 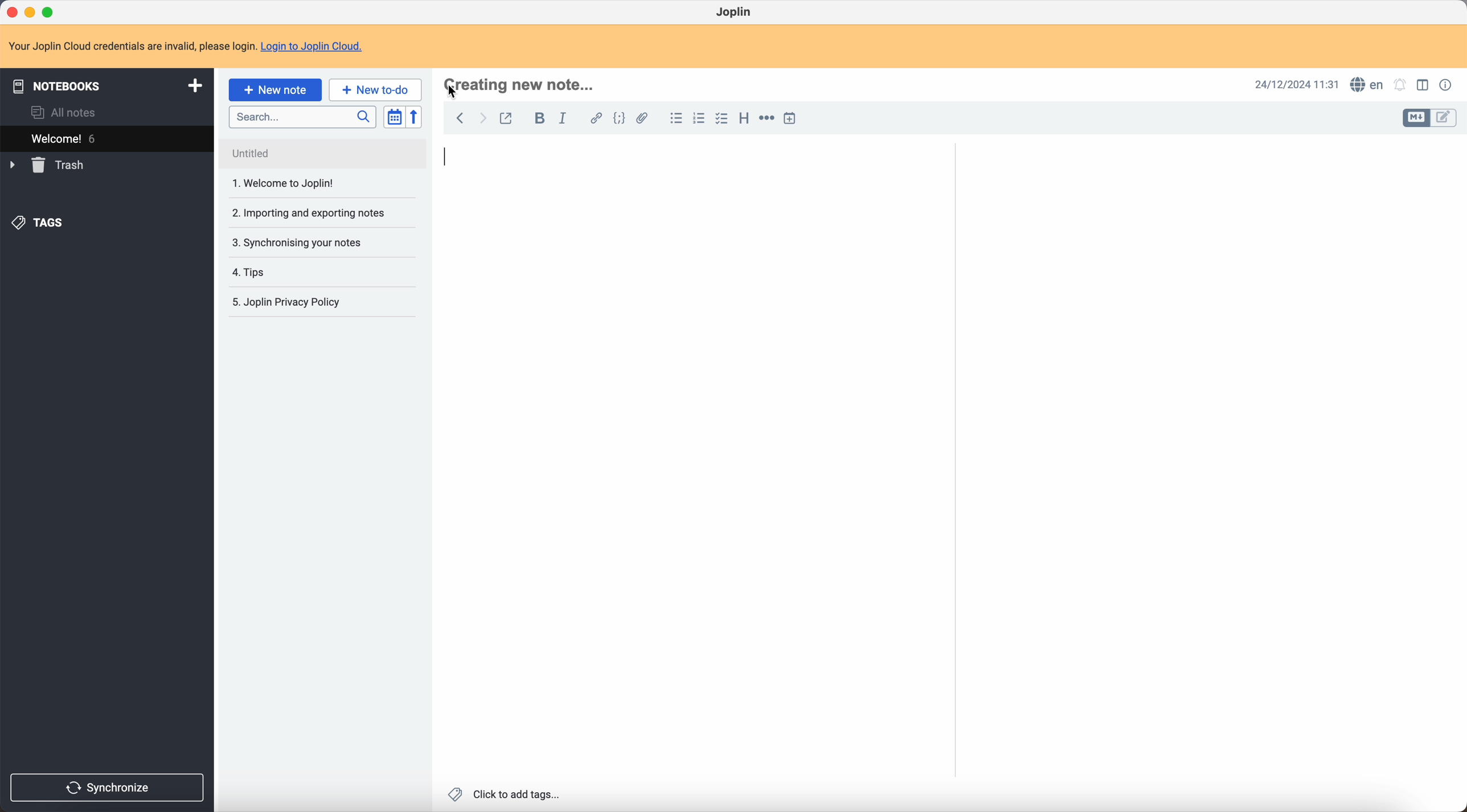 What do you see at coordinates (643, 118) in the screenshot?
I see `attach file` at bounding box center [643, 118].